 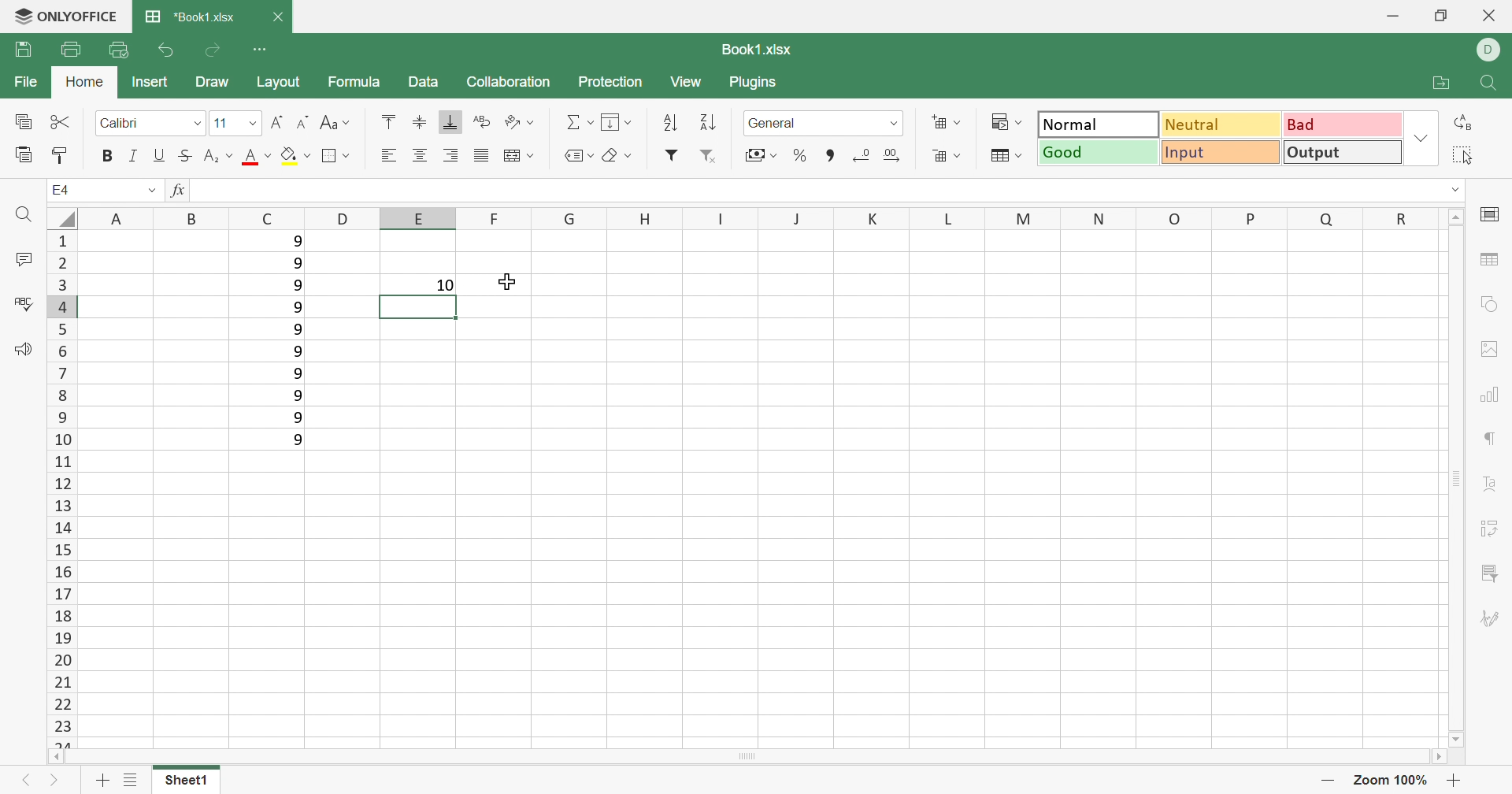 What do you see at coordinates (1494, 305) in the screenshot?
I see `shape settings` at bounding box center [1494, 305].